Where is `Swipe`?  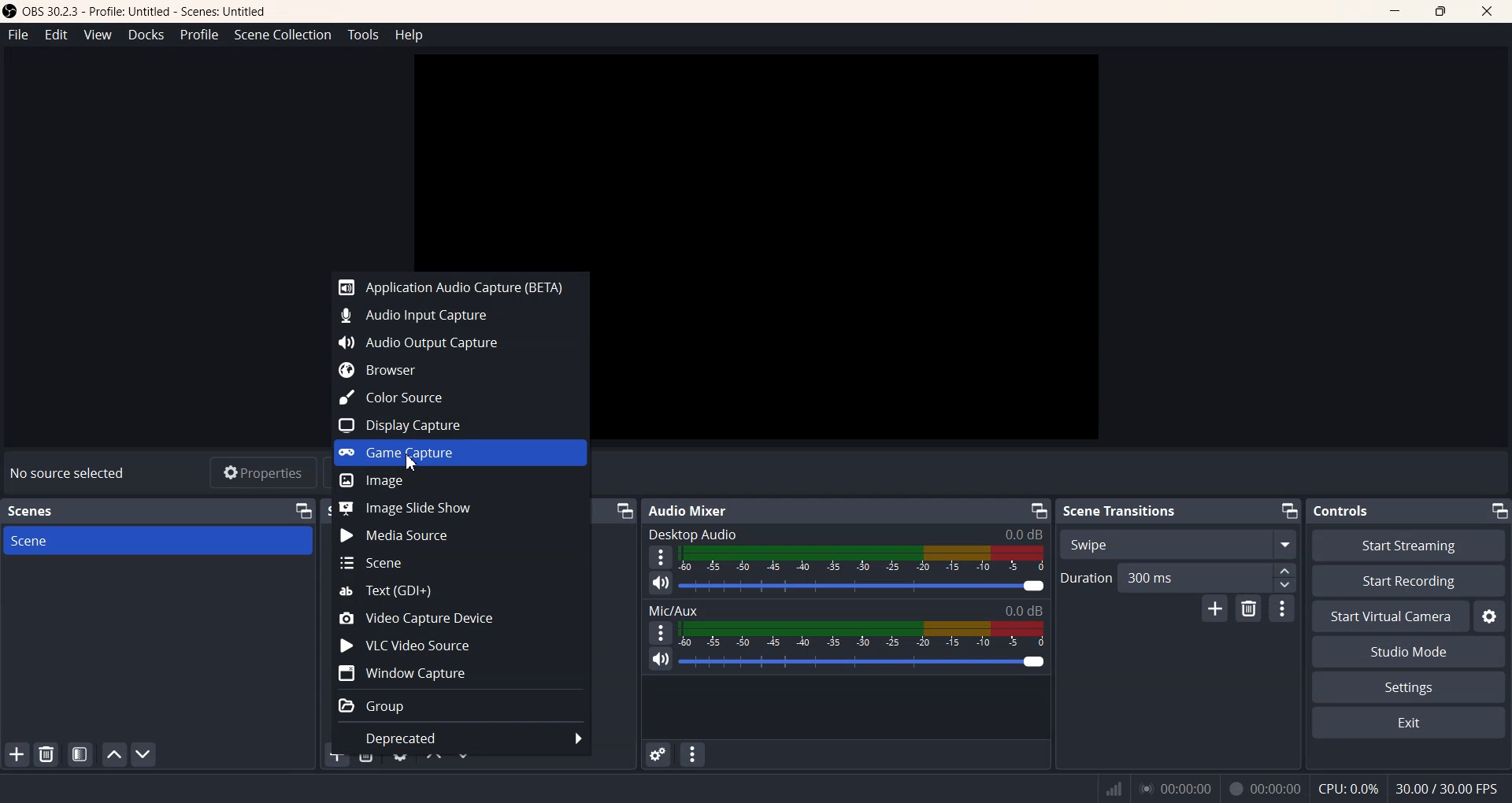
Swipe is located at coordinates (1177, 544).